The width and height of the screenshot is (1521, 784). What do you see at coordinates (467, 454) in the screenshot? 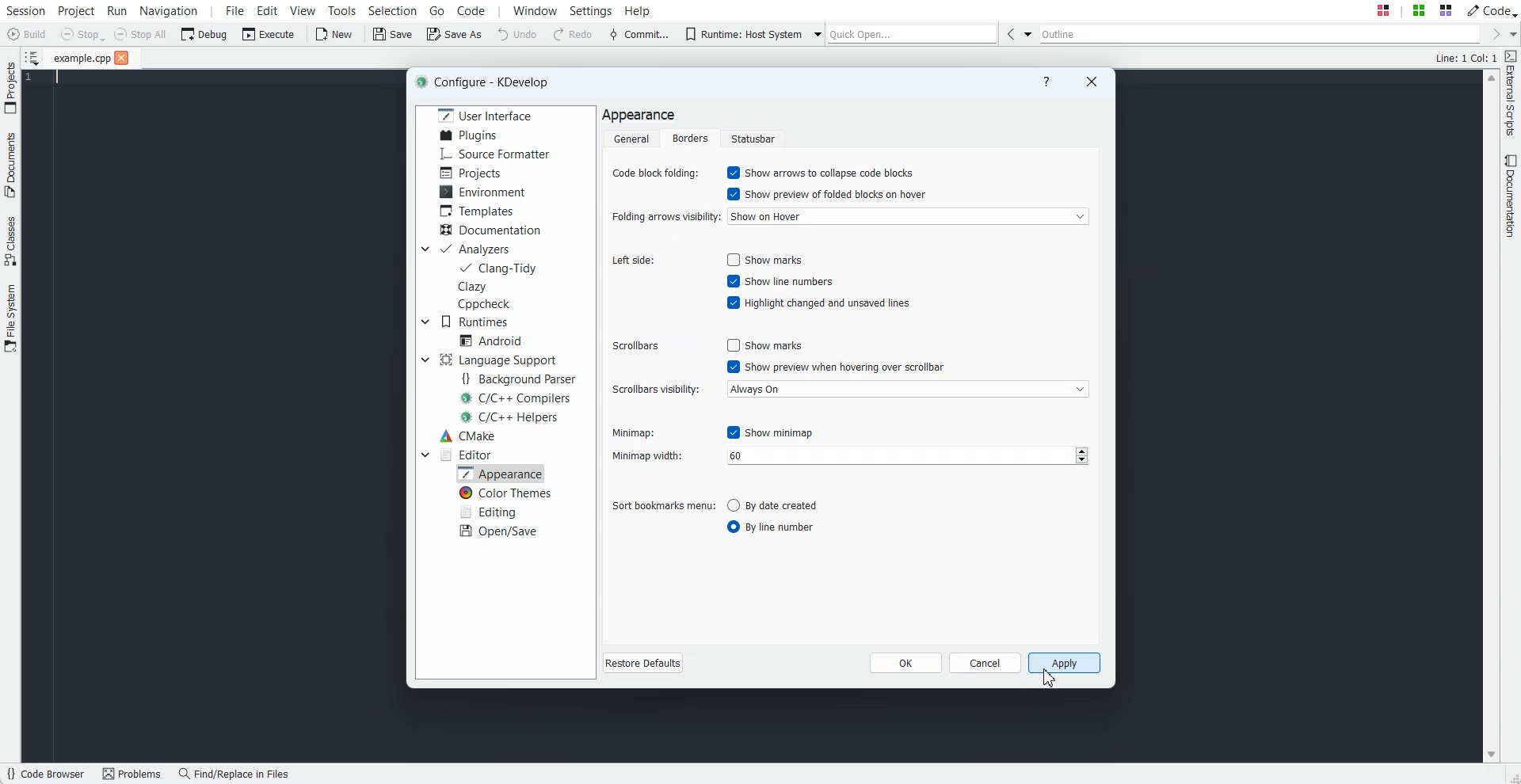
I see `Editor` at bounding box center [467, 454].